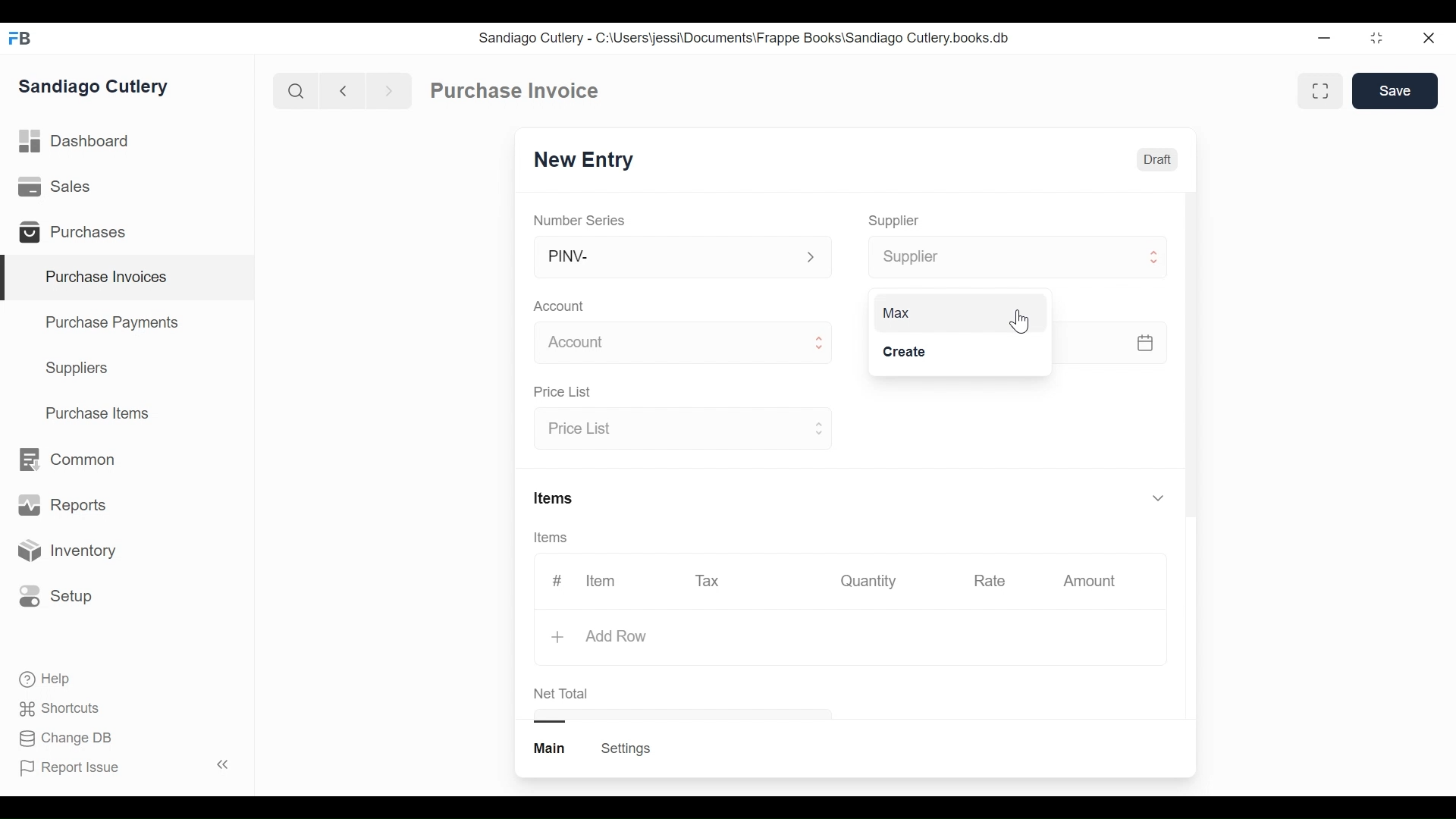 The width and height of the screenshot is (1456, 819). What do you see at coordinates (664, 345) in the screenshot?
I see `Account` at bounding box center [664, 345].